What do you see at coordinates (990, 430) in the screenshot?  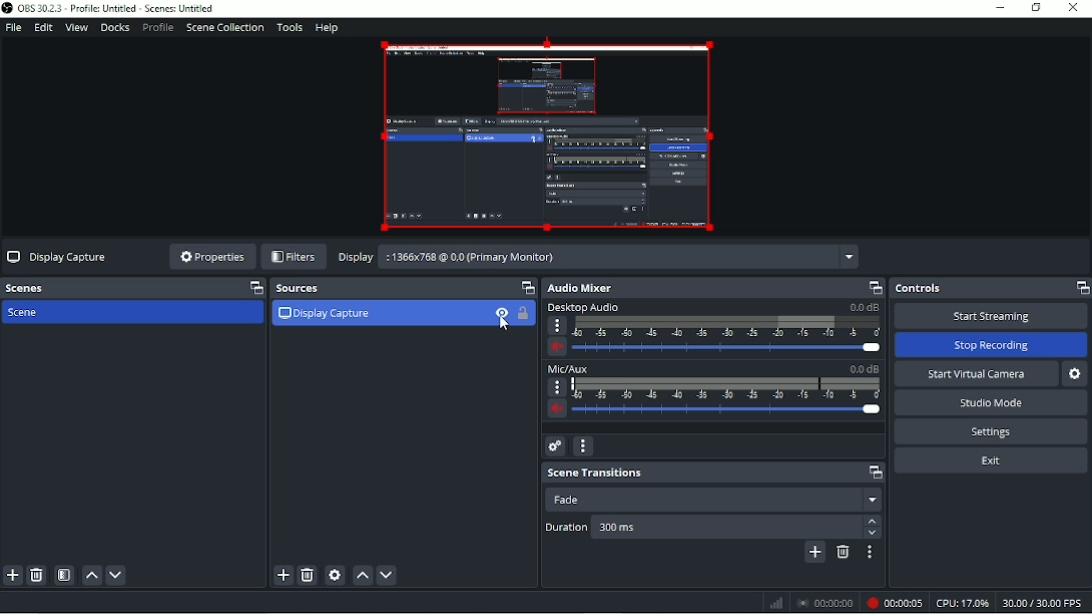 I see `Settings` at bounding box center [990, 430].